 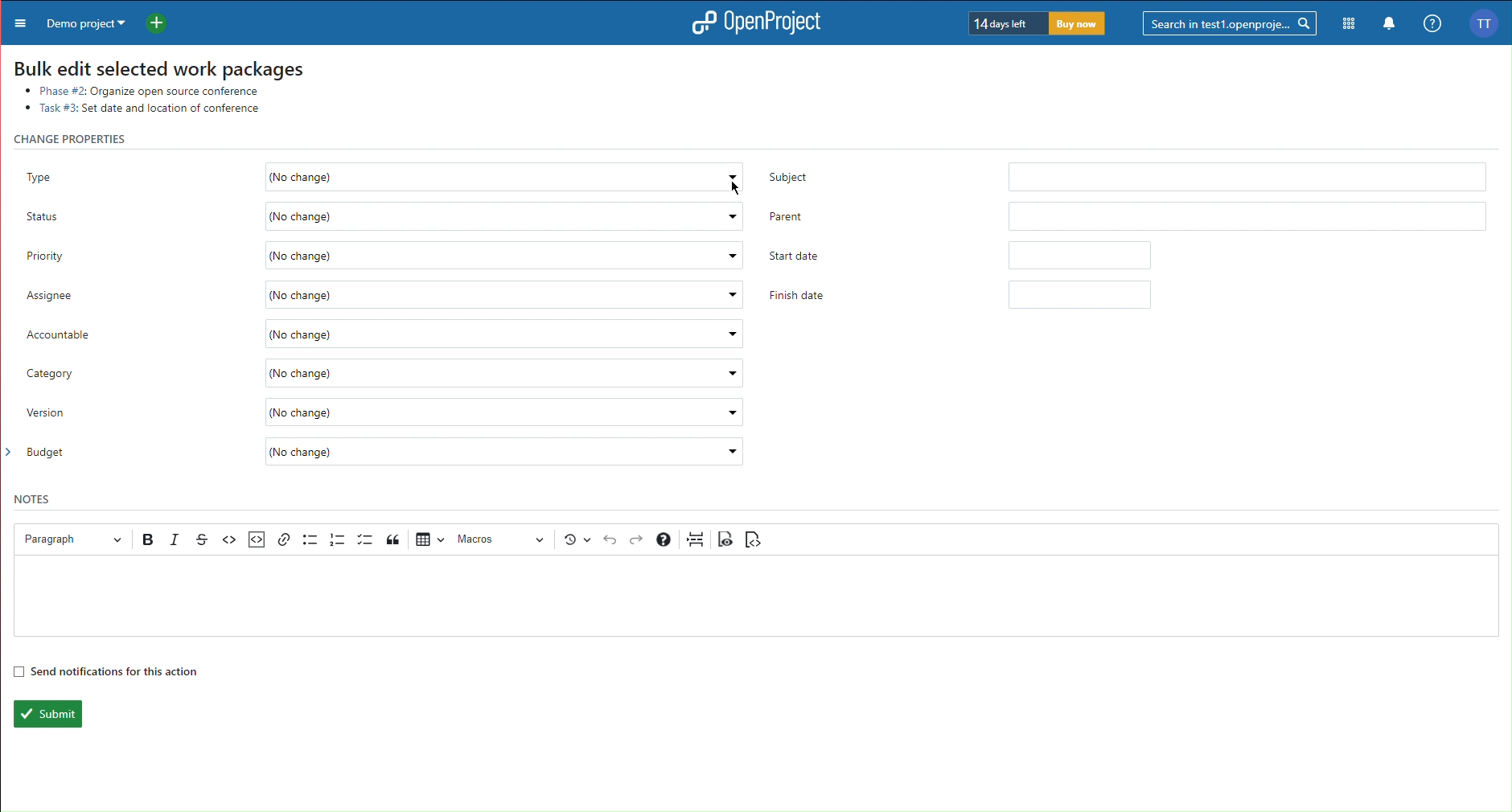 I want to click on Subject, so click(x=1124, y=174).